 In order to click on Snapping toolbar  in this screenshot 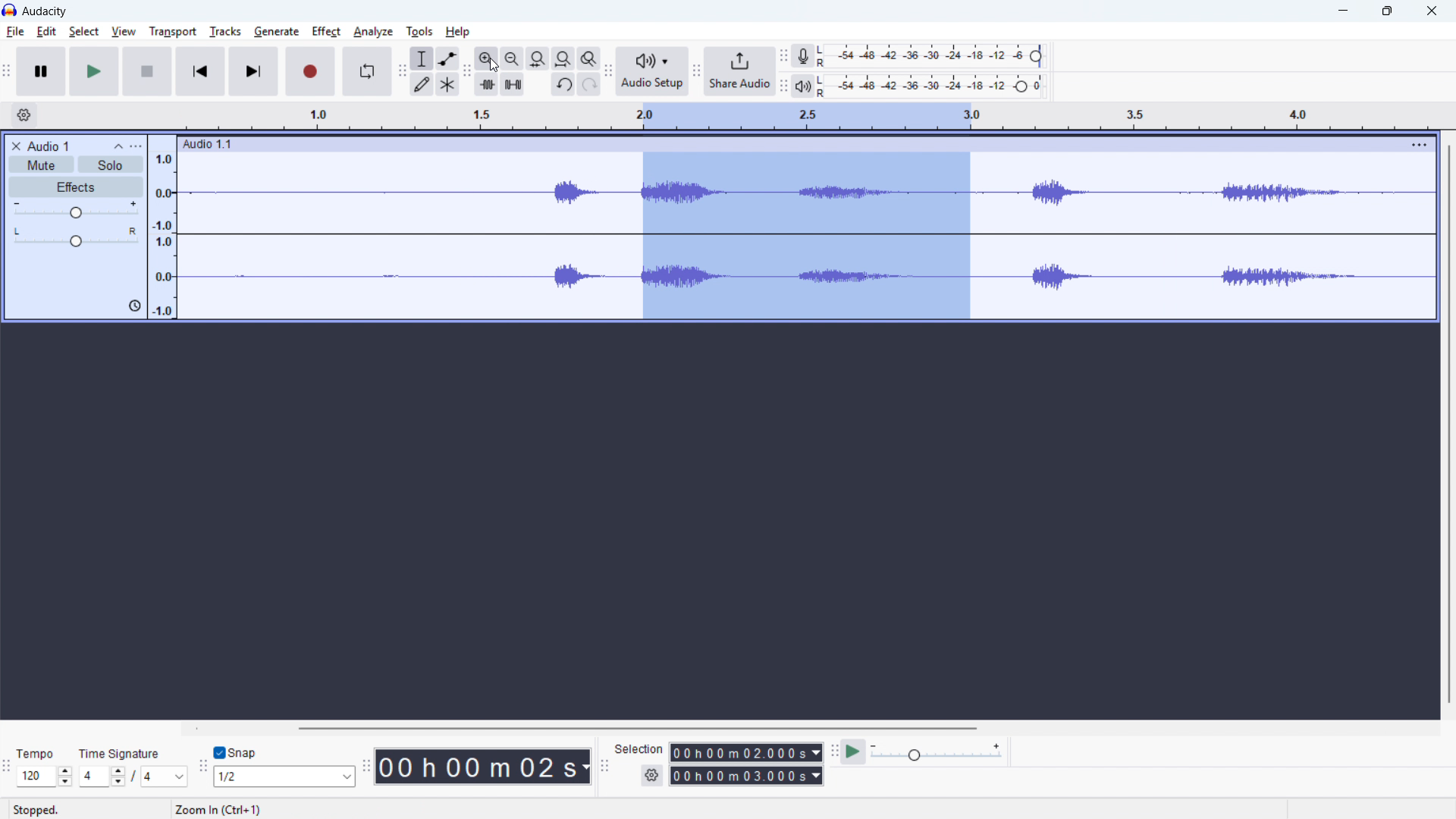, I will do `click(203, 769)`.